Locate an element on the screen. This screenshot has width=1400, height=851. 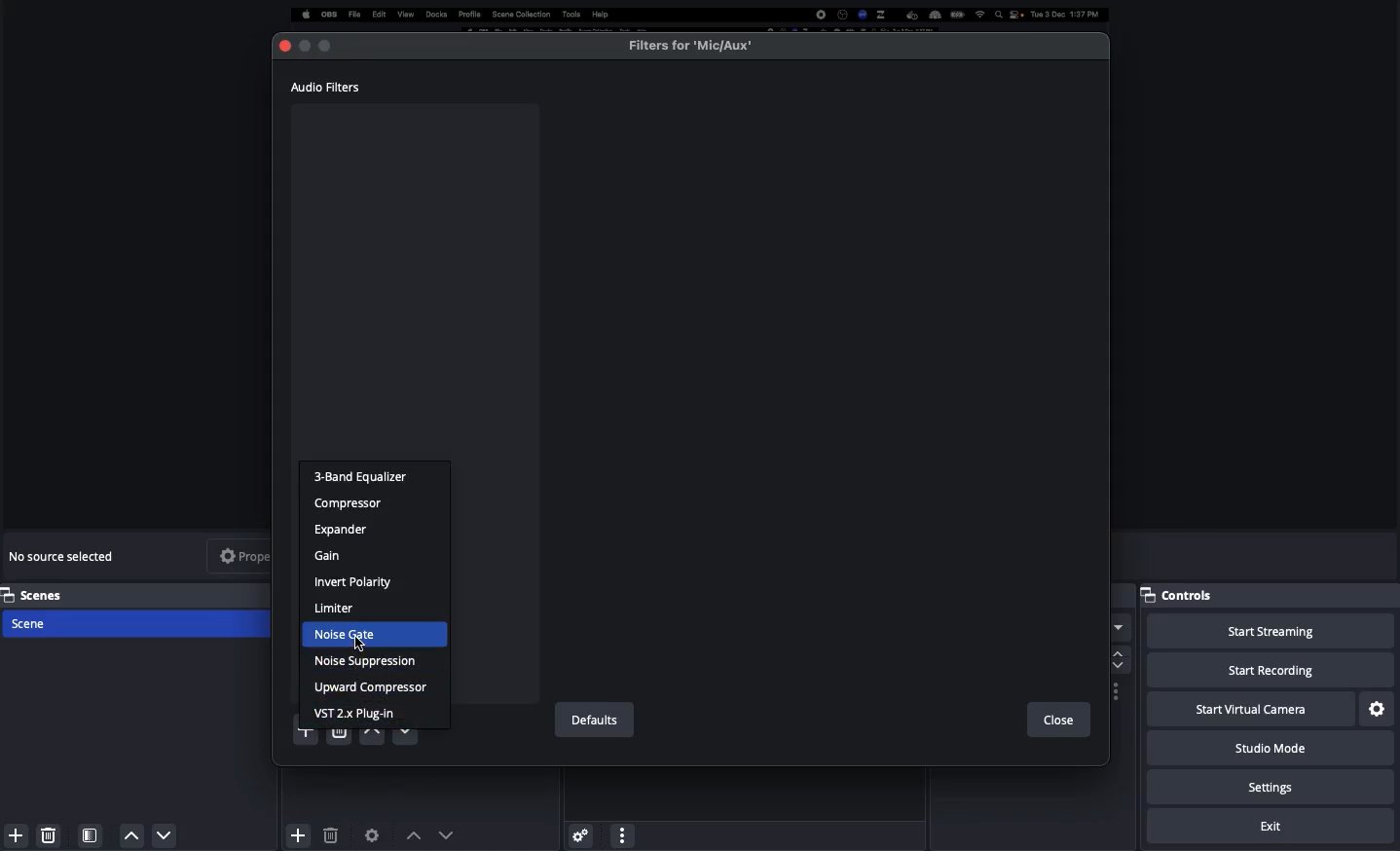
VST 2x Plug in is located at coordinates (369, 713).